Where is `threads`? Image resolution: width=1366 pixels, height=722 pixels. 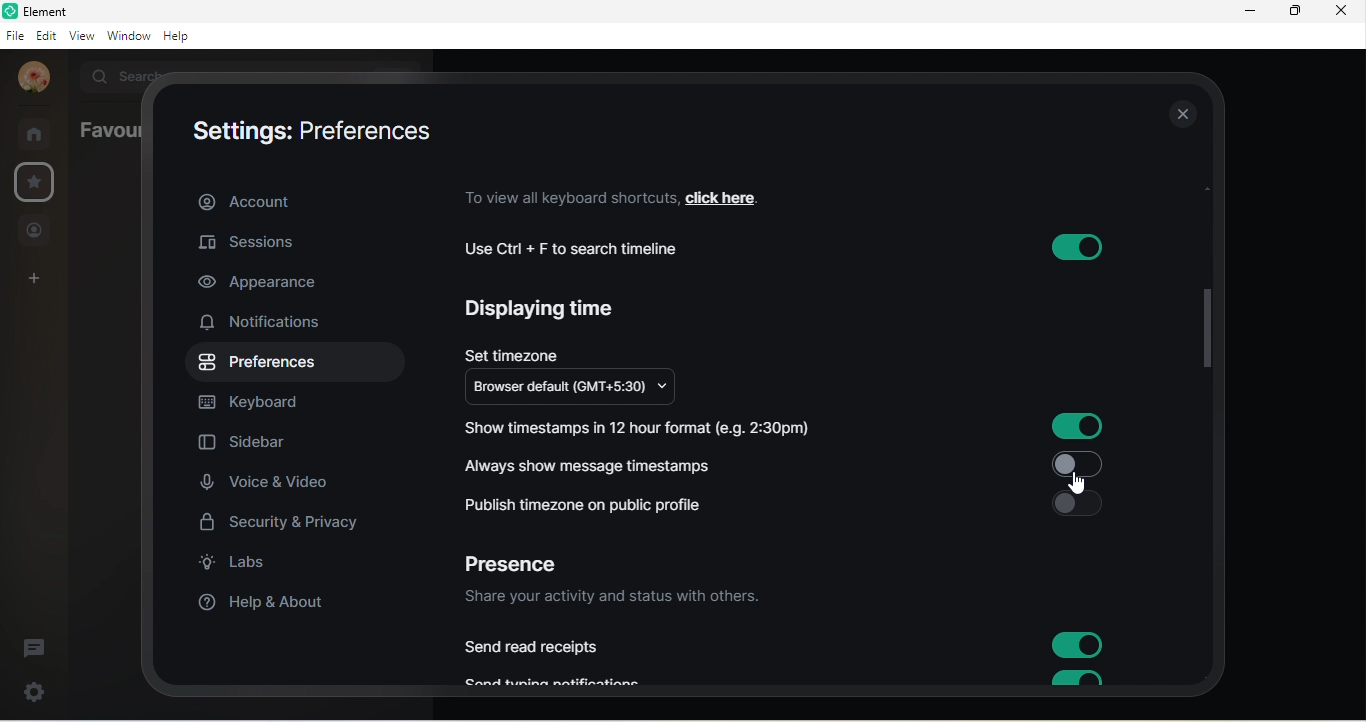
threads is located at coordinates (41, 642).